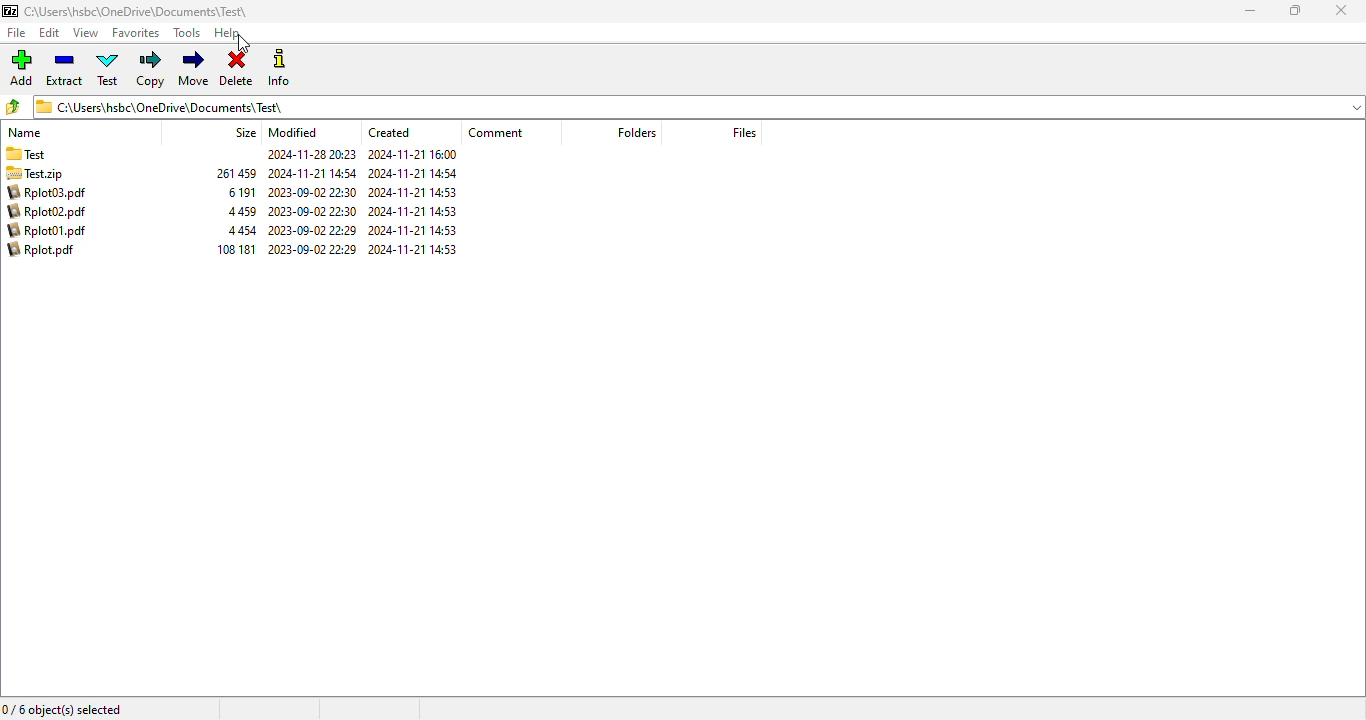  What do you see at coordinates (195, 67) in the screenshot?
I see `move` at bounding box center [195, 67].